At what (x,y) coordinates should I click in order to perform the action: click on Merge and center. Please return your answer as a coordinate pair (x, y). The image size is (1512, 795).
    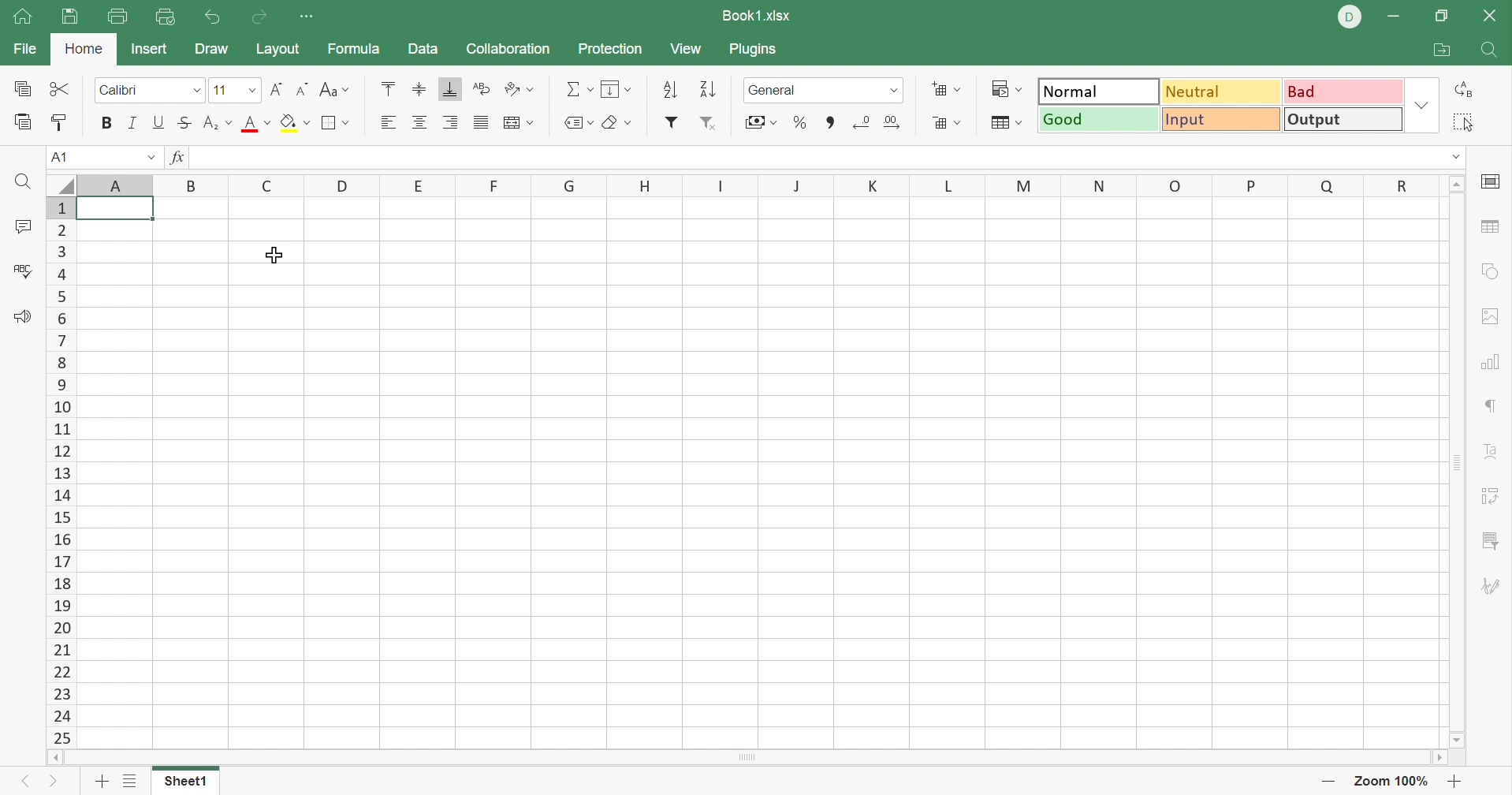
    Looking at the image, I should click on (520, 122).